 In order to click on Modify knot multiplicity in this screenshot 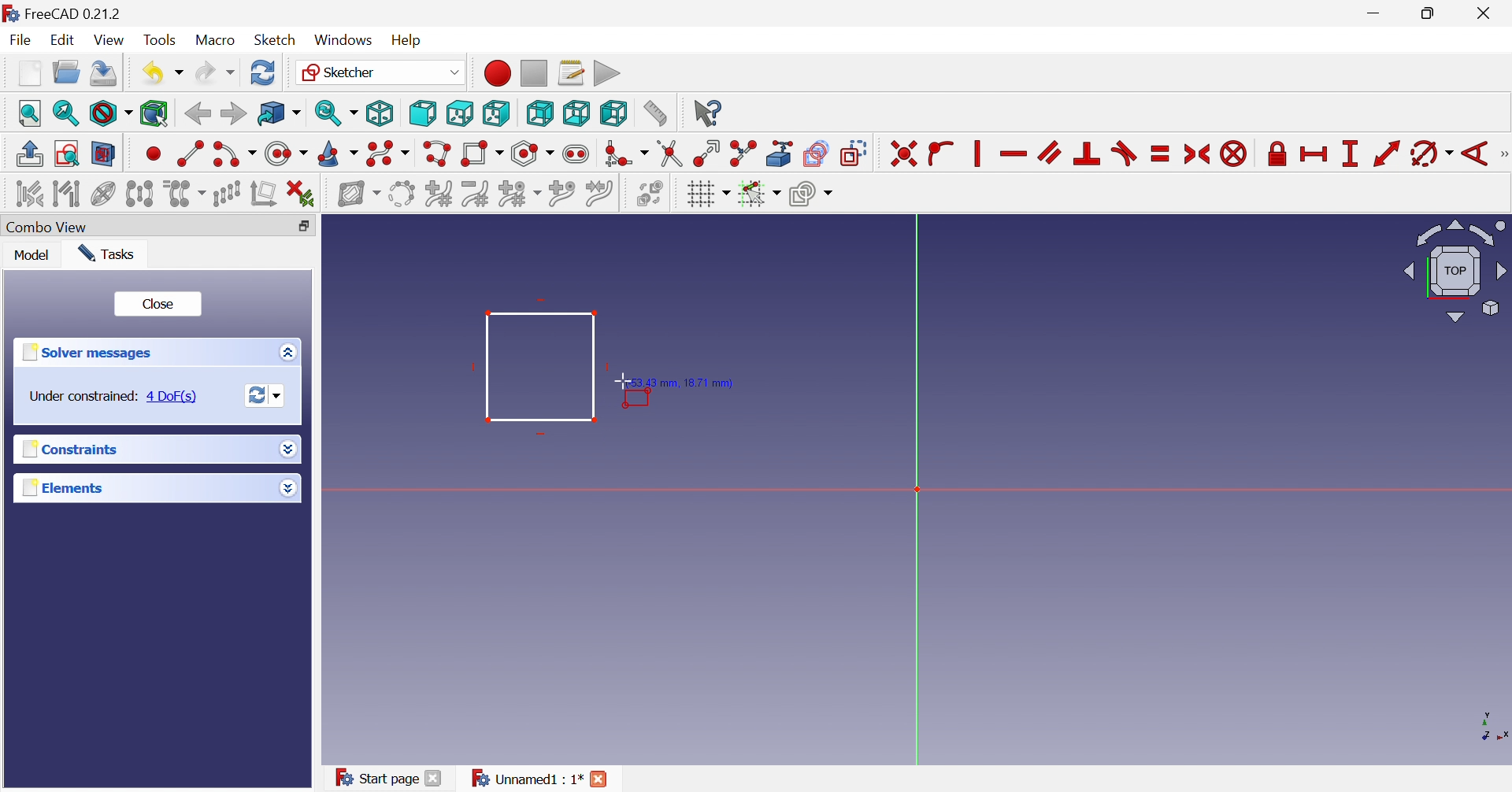, I will do `click(519, 195)`.